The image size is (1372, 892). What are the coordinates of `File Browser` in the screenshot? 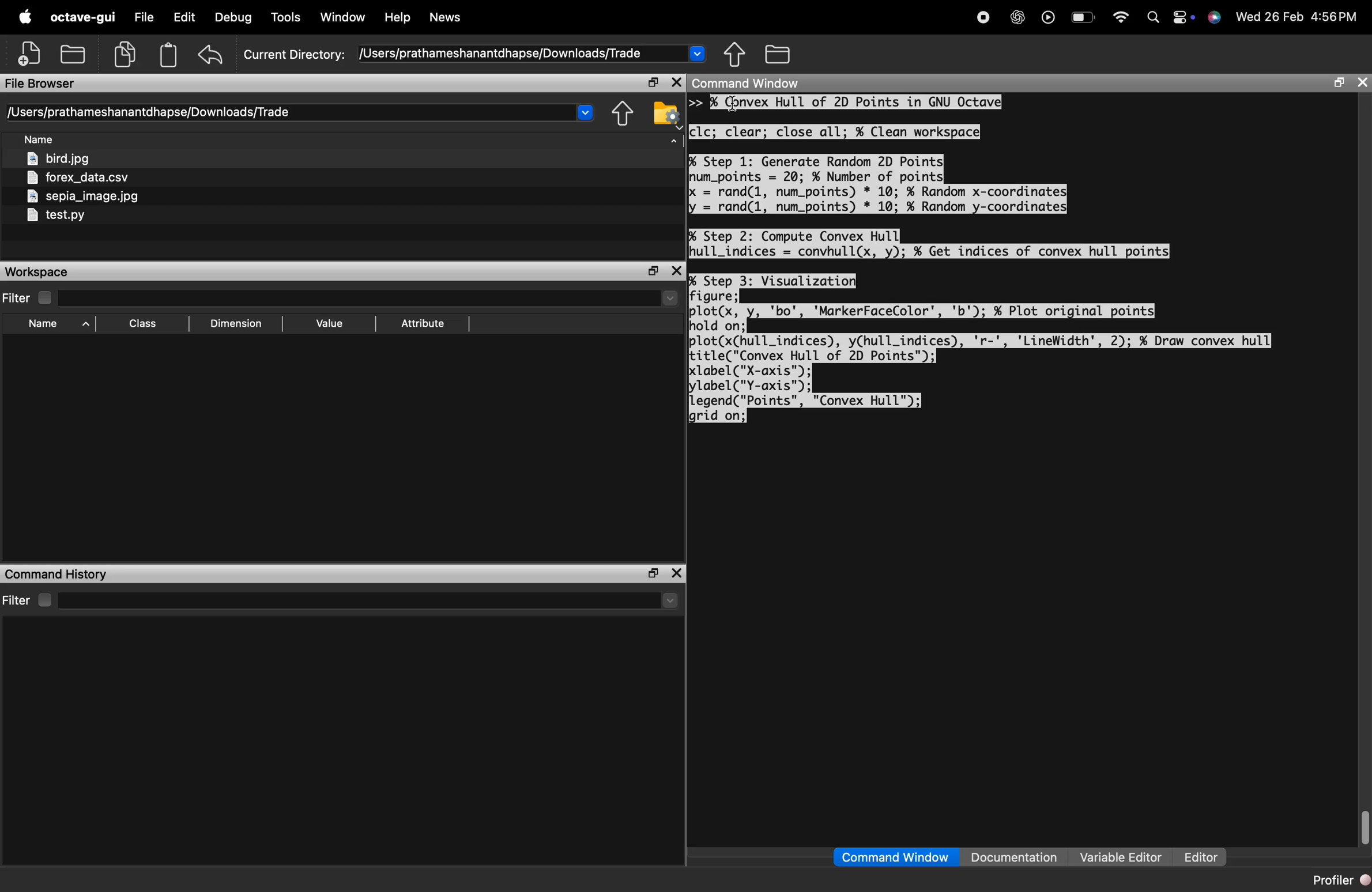 It's located at (40, 84).